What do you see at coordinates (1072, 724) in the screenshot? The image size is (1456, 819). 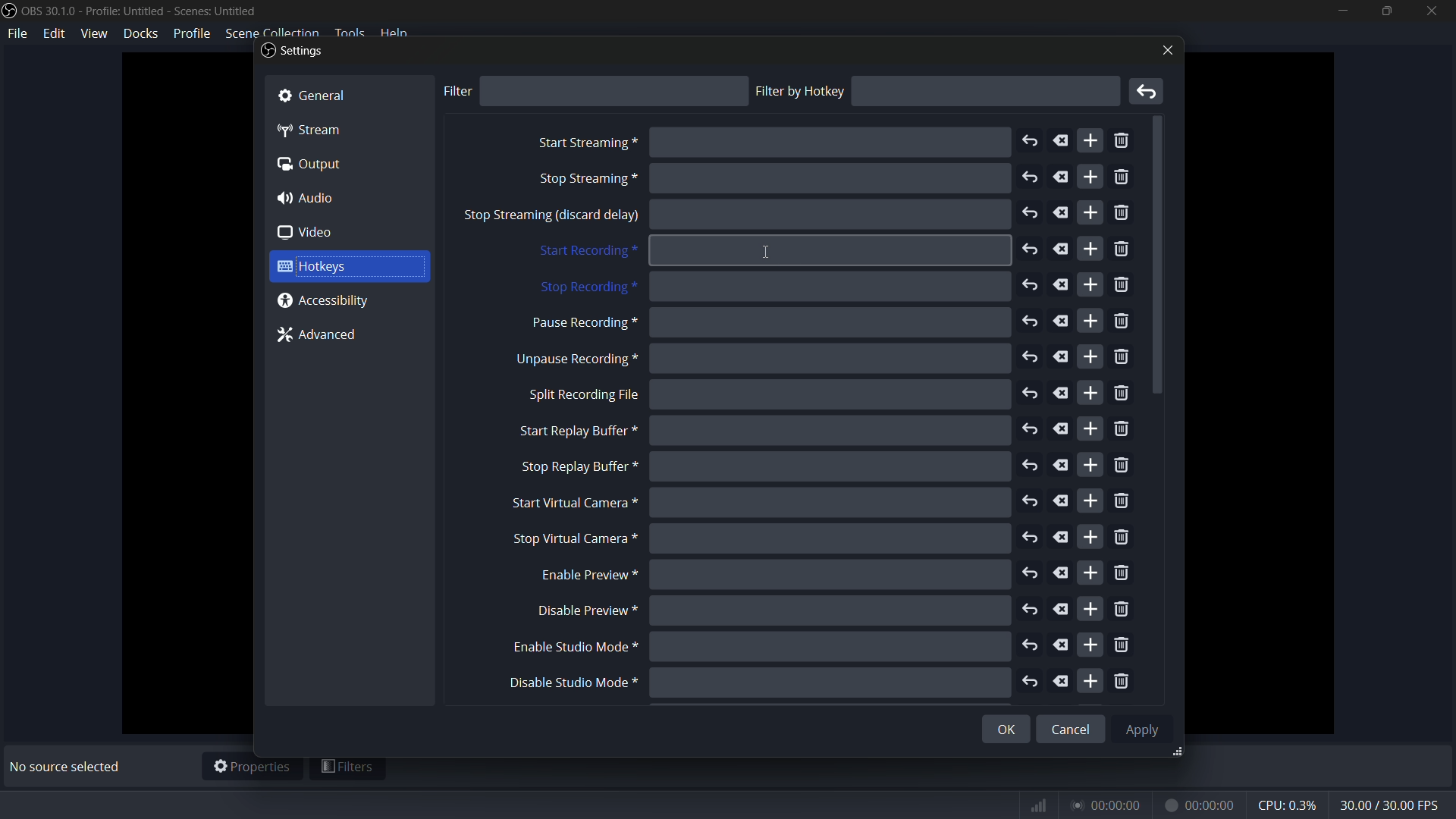 I see `Cancel` at bounding box center [1072, 724].